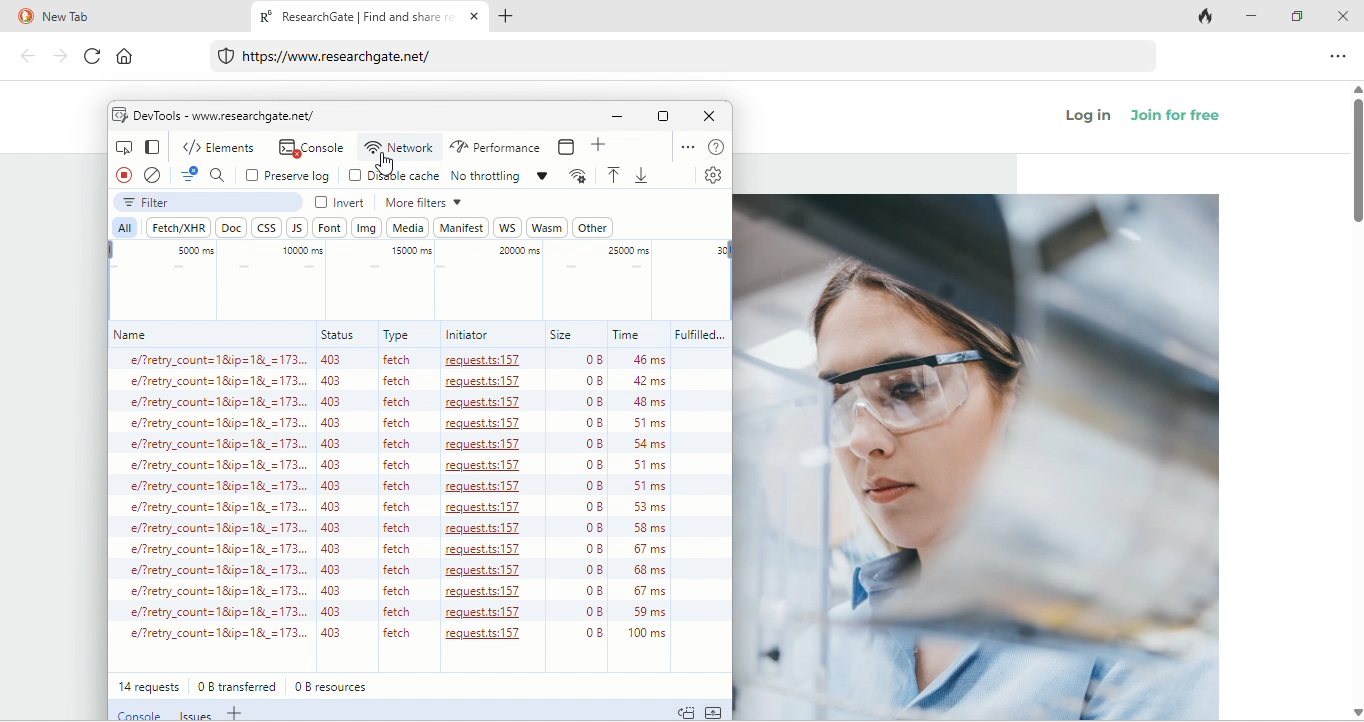  Describe the element at coordinates (547, 227) in the screenshot. I see `wasm` at that location.